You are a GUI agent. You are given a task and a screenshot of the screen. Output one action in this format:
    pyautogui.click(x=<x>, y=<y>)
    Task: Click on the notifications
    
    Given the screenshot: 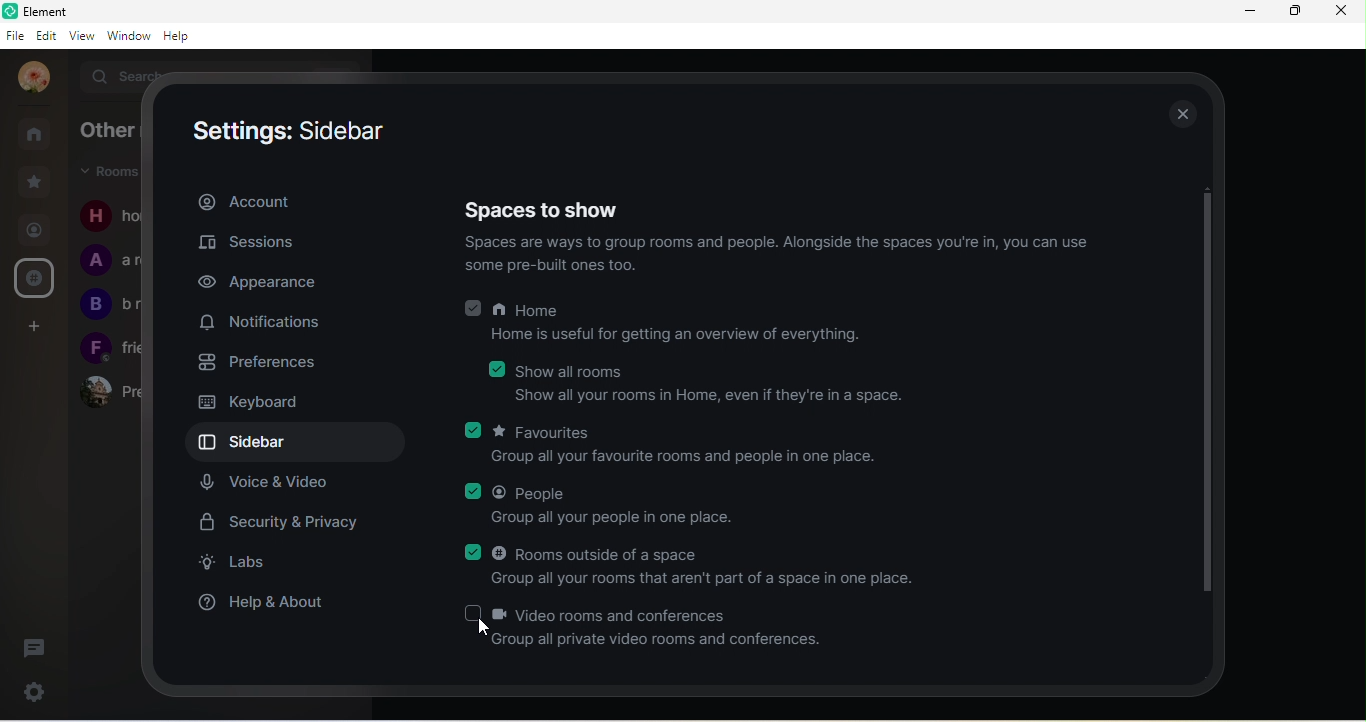 What is the action you would take?
    pyautogui.click(x=259, y=324)
    